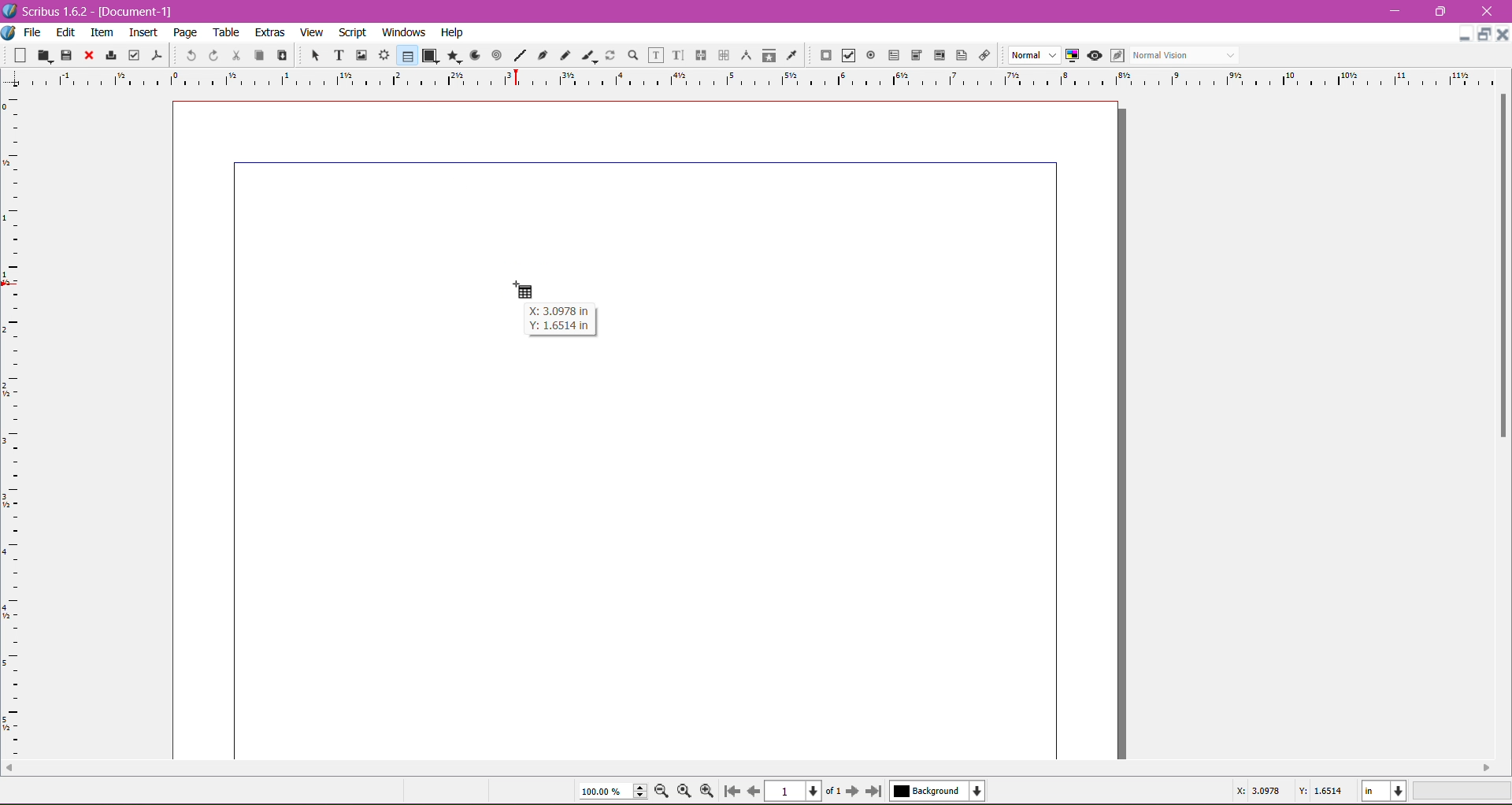 This screenshot has height=805, width=1512. I want to click on File, so click(32, 32).